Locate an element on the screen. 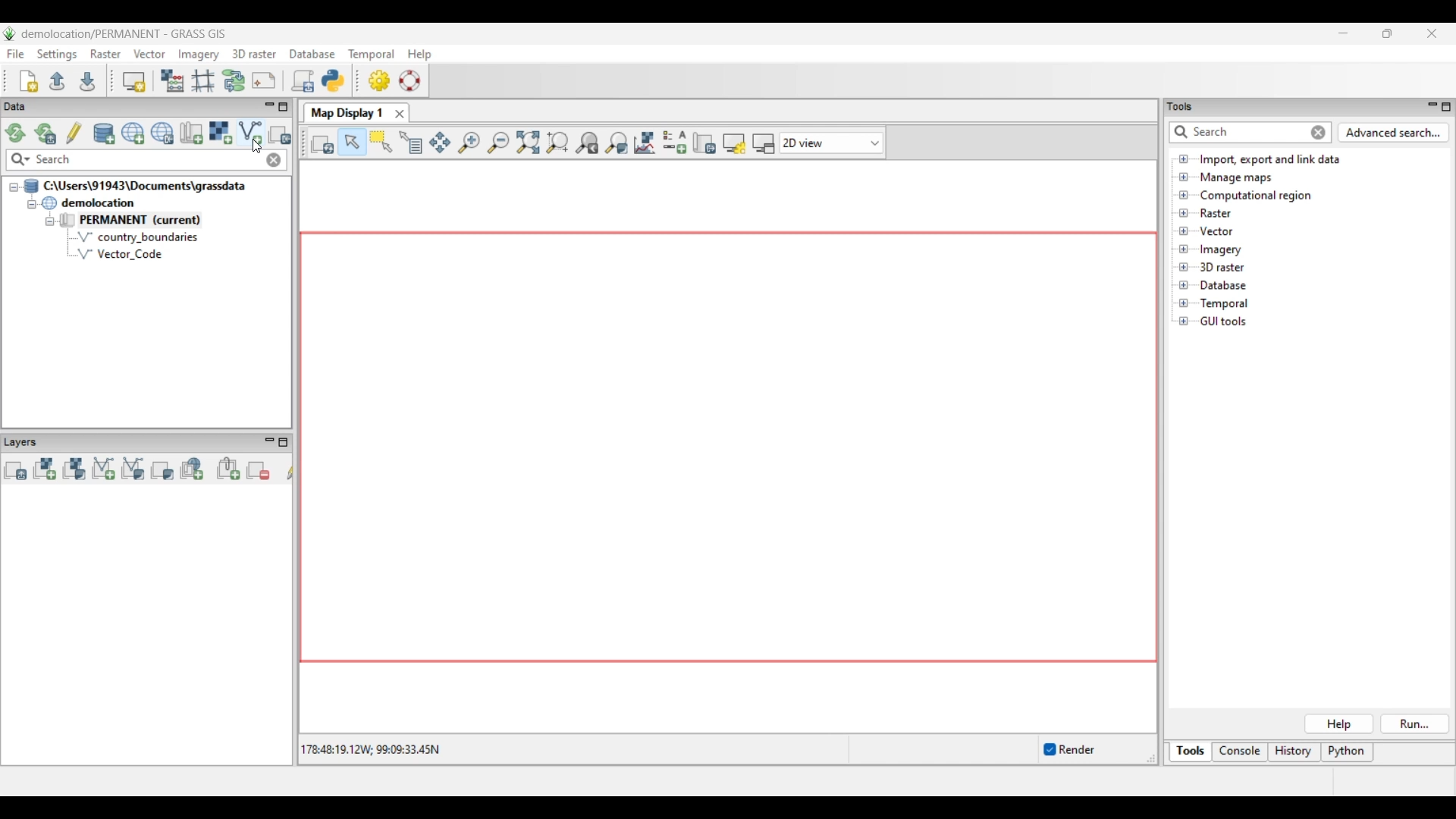  Map display settings is located at coordinates (734, 144).